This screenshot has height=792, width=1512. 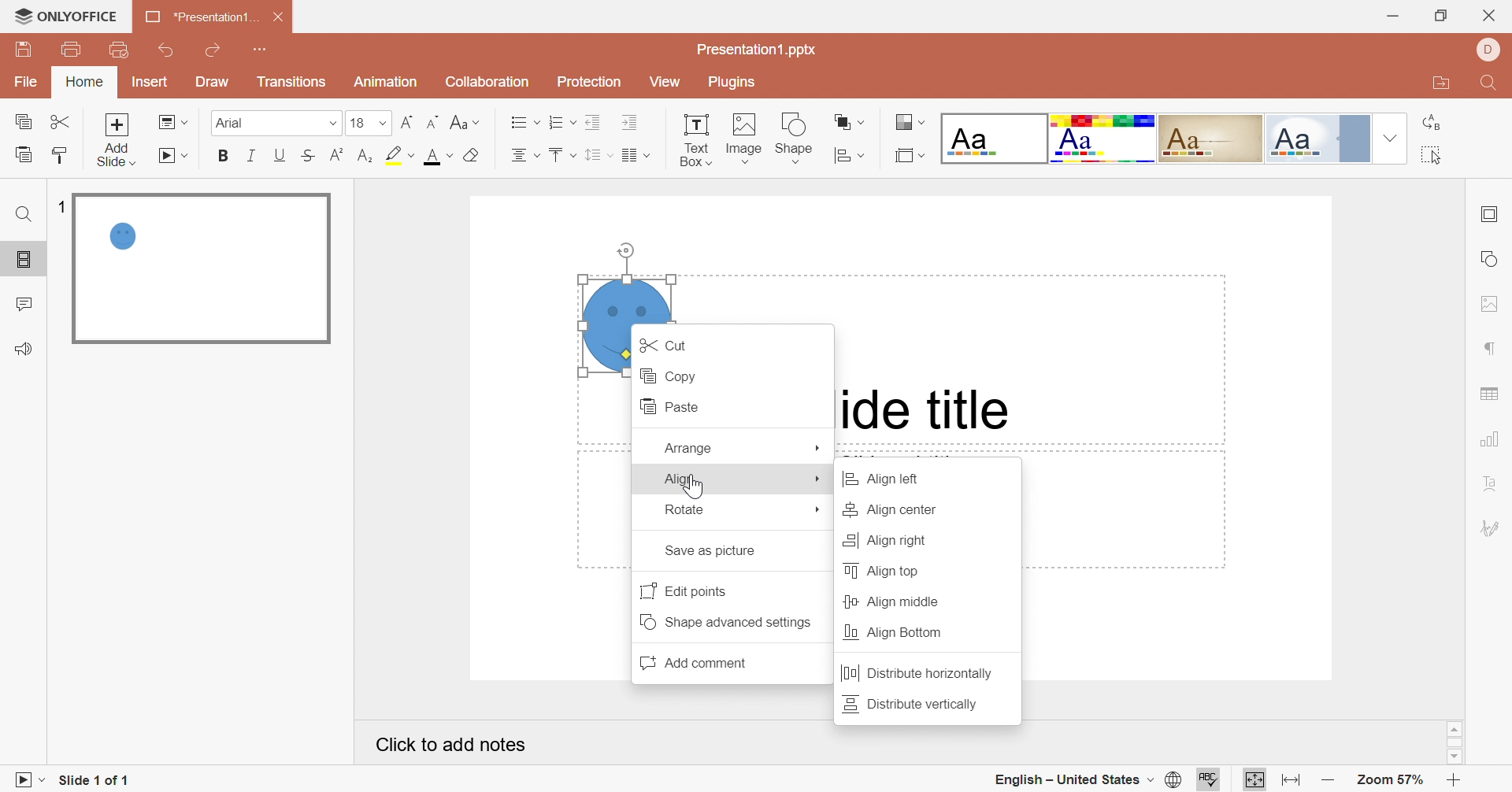 I want to click on Click to add notes, so click(x=453, y=745).